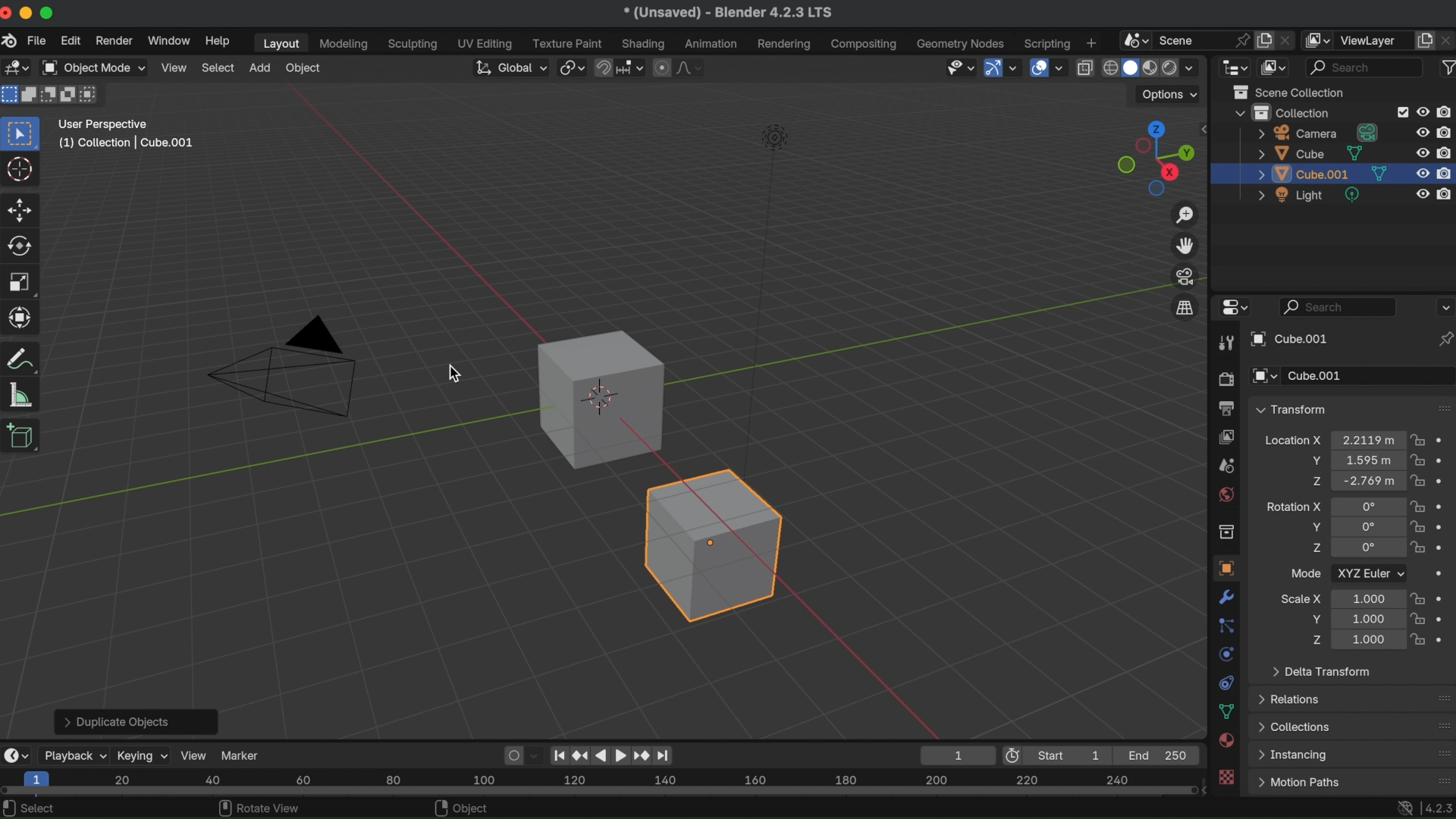  I want to click on geometry nodes, so click(962, 43).